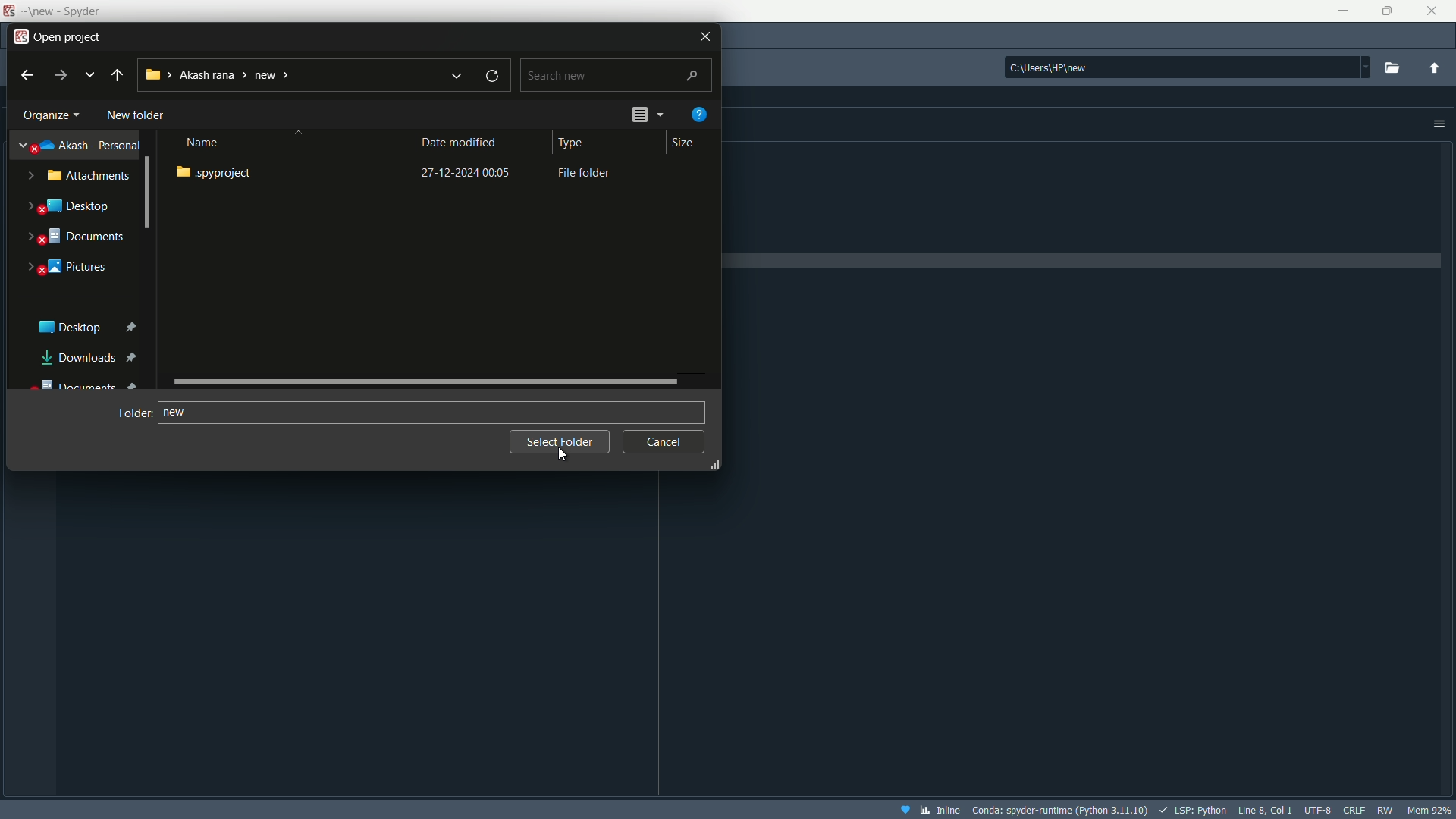 The image size is (1456, 819). I want to click on current directory, so click(222, 74).